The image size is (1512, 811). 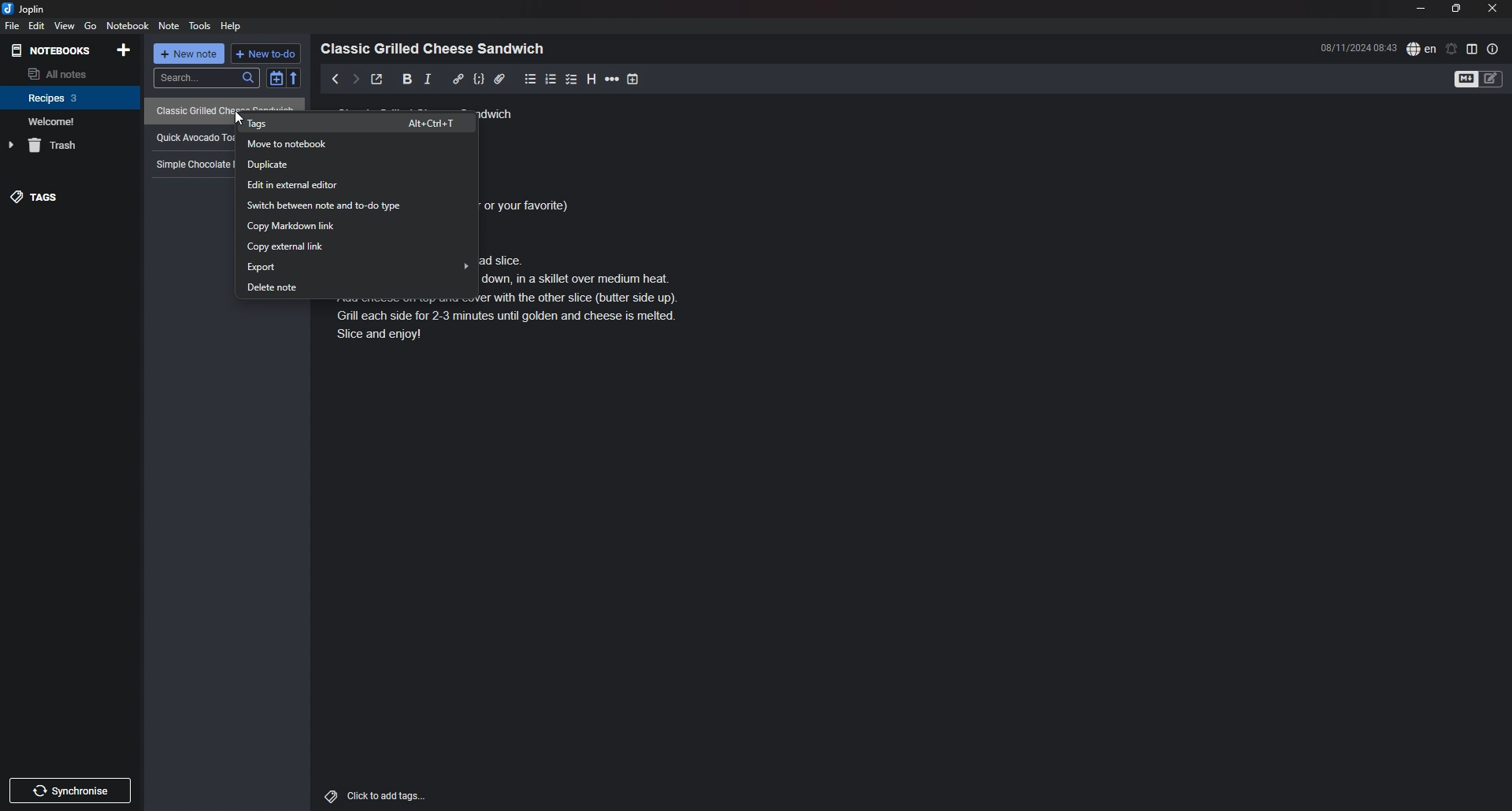 What do you see at coordinates (357, 165) in the screenshot?
I see `duplicate` at bounding box center [357, 165].